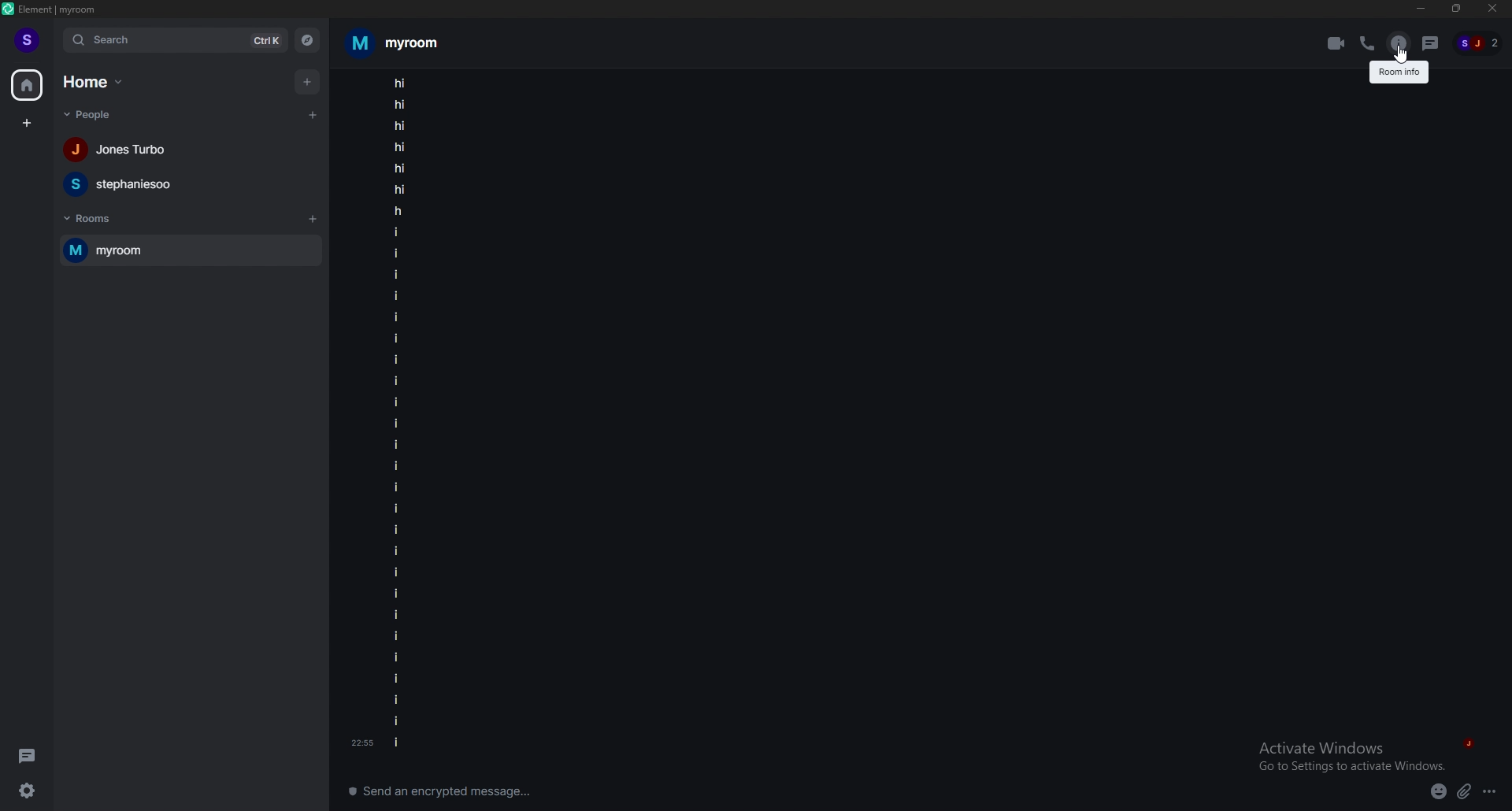 The width and height of the screenshot is (1512, 811). Describe the element at coordinates (92, 219) in the screenshot. I see `rooms` at that location.